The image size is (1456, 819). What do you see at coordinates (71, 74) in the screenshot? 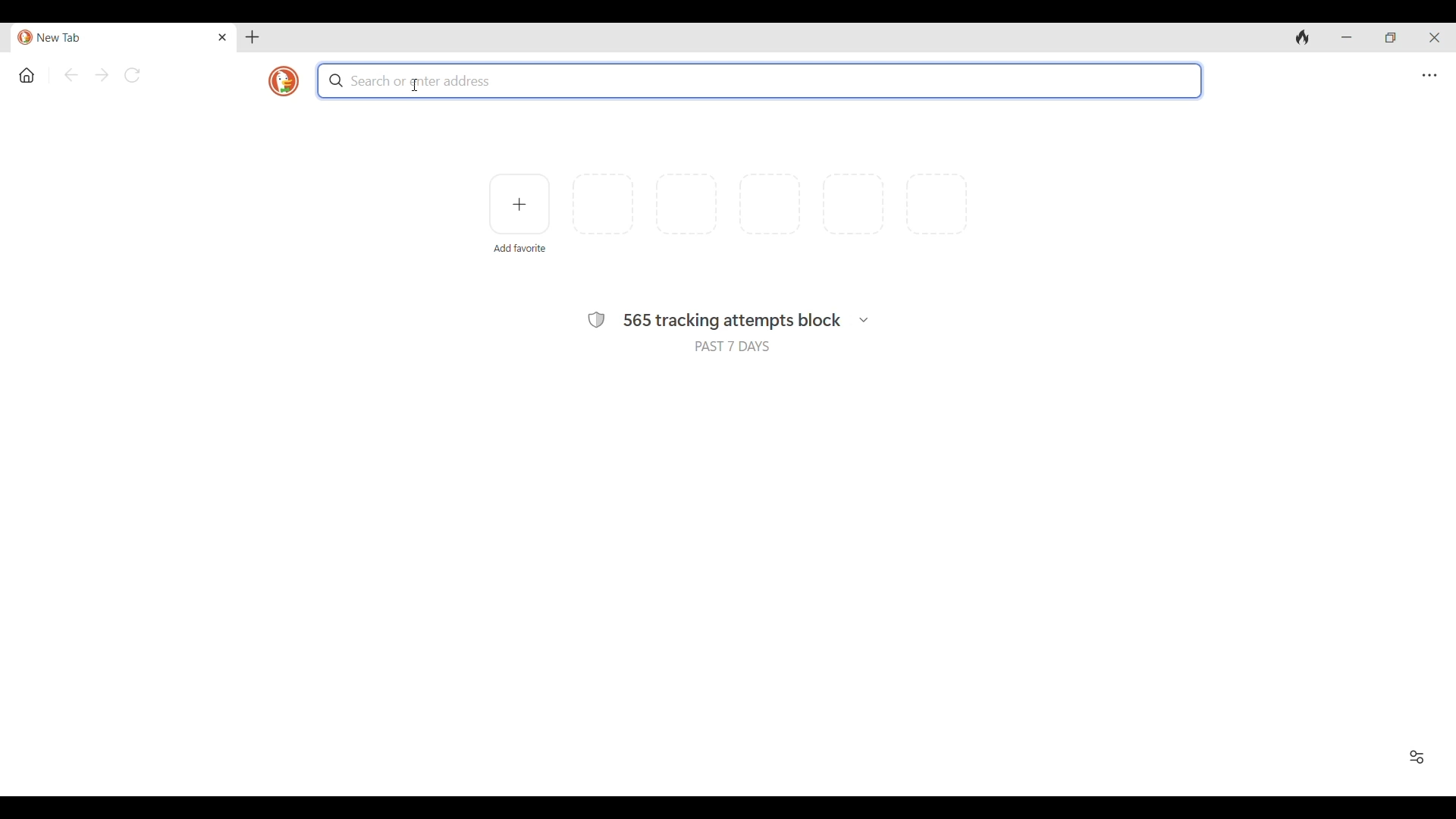
I see `Go back in search` at bounding box center [71, 74].